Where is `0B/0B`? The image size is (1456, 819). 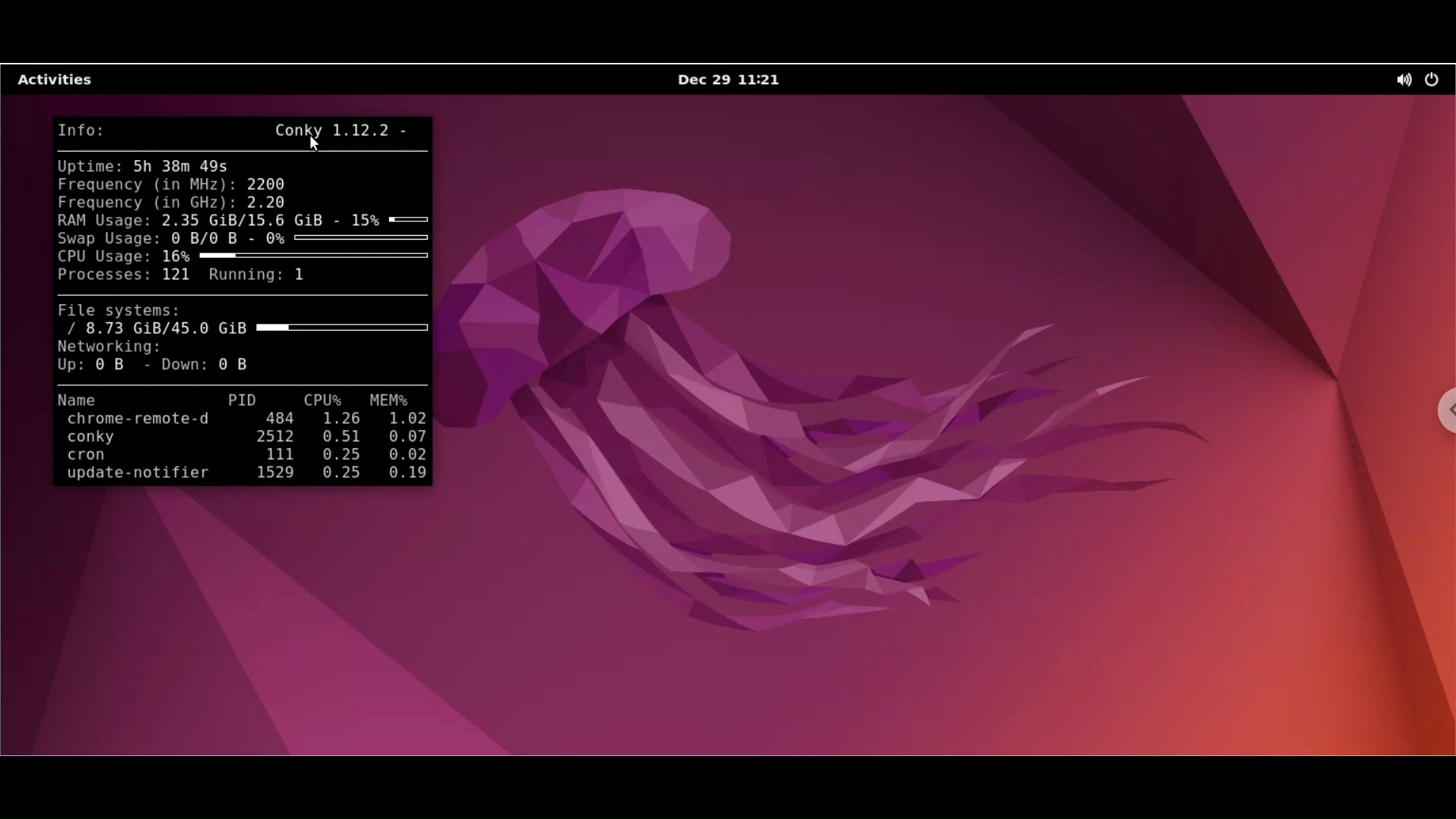
0B/0B is located at coordinates (210, 240).